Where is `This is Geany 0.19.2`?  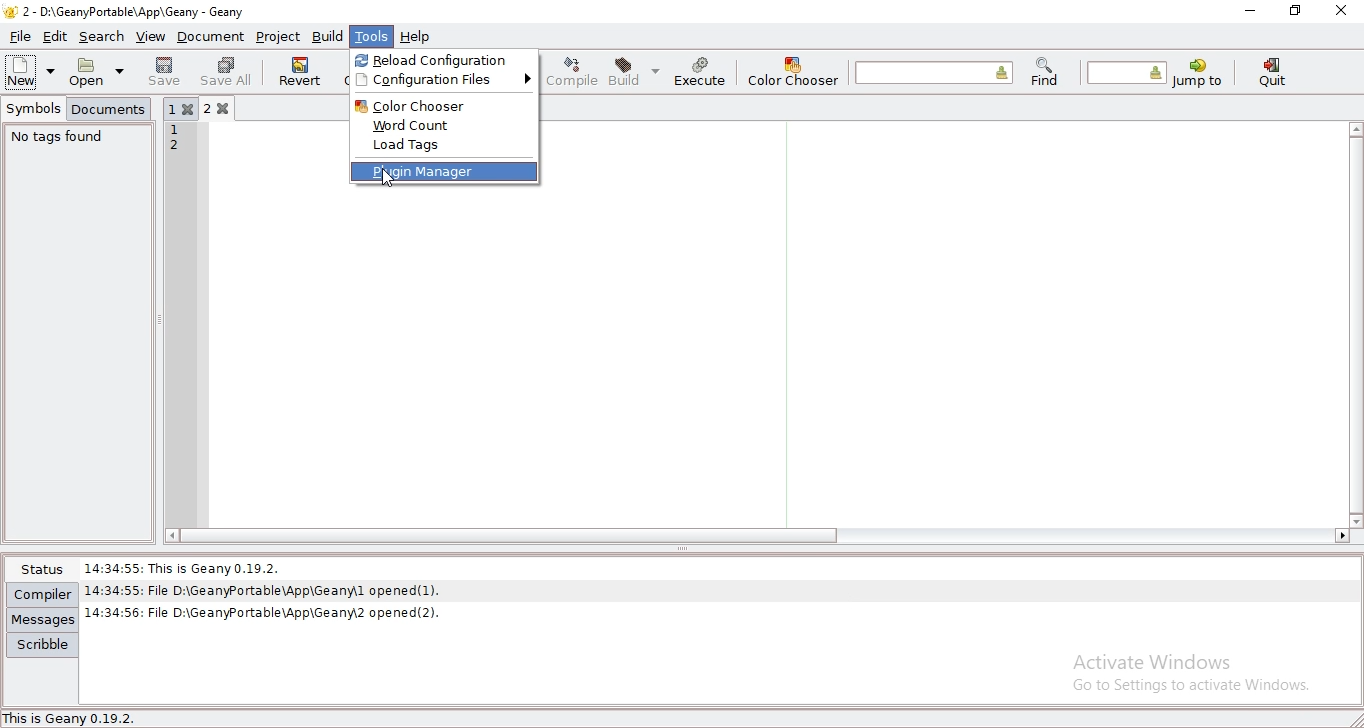 This is Geany 0.19.2 is located at coordinates (76, 718).